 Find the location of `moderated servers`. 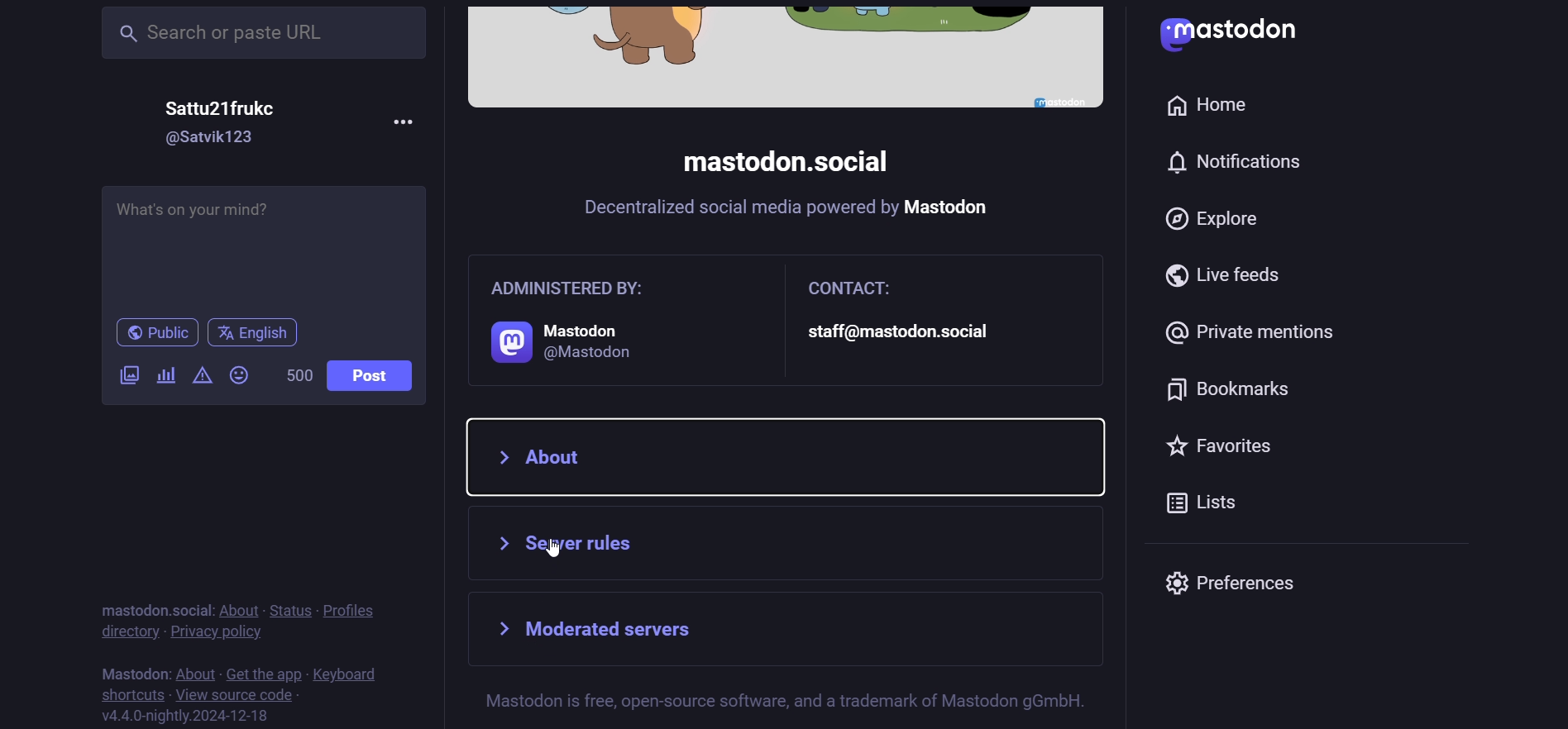

moderated servers is located at coordinates (648, 631).